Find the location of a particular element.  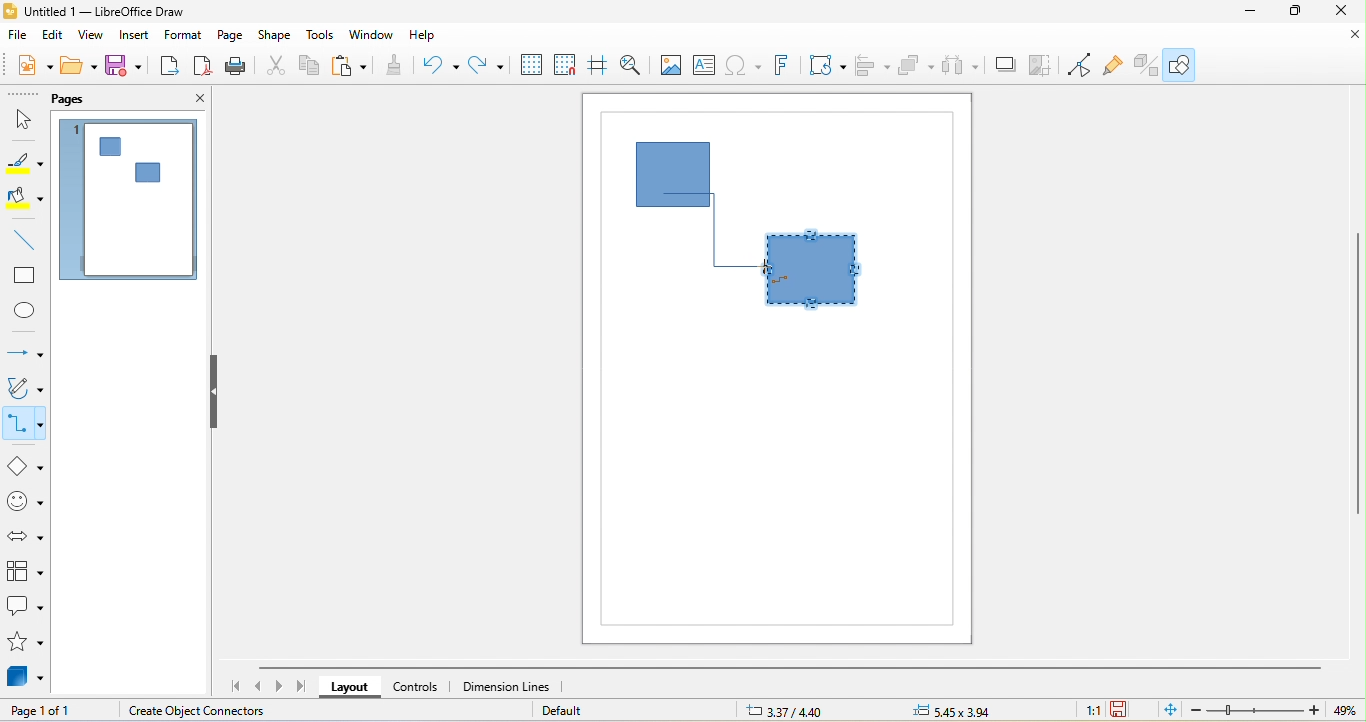

maximize is located at coordinates (1301, 11).